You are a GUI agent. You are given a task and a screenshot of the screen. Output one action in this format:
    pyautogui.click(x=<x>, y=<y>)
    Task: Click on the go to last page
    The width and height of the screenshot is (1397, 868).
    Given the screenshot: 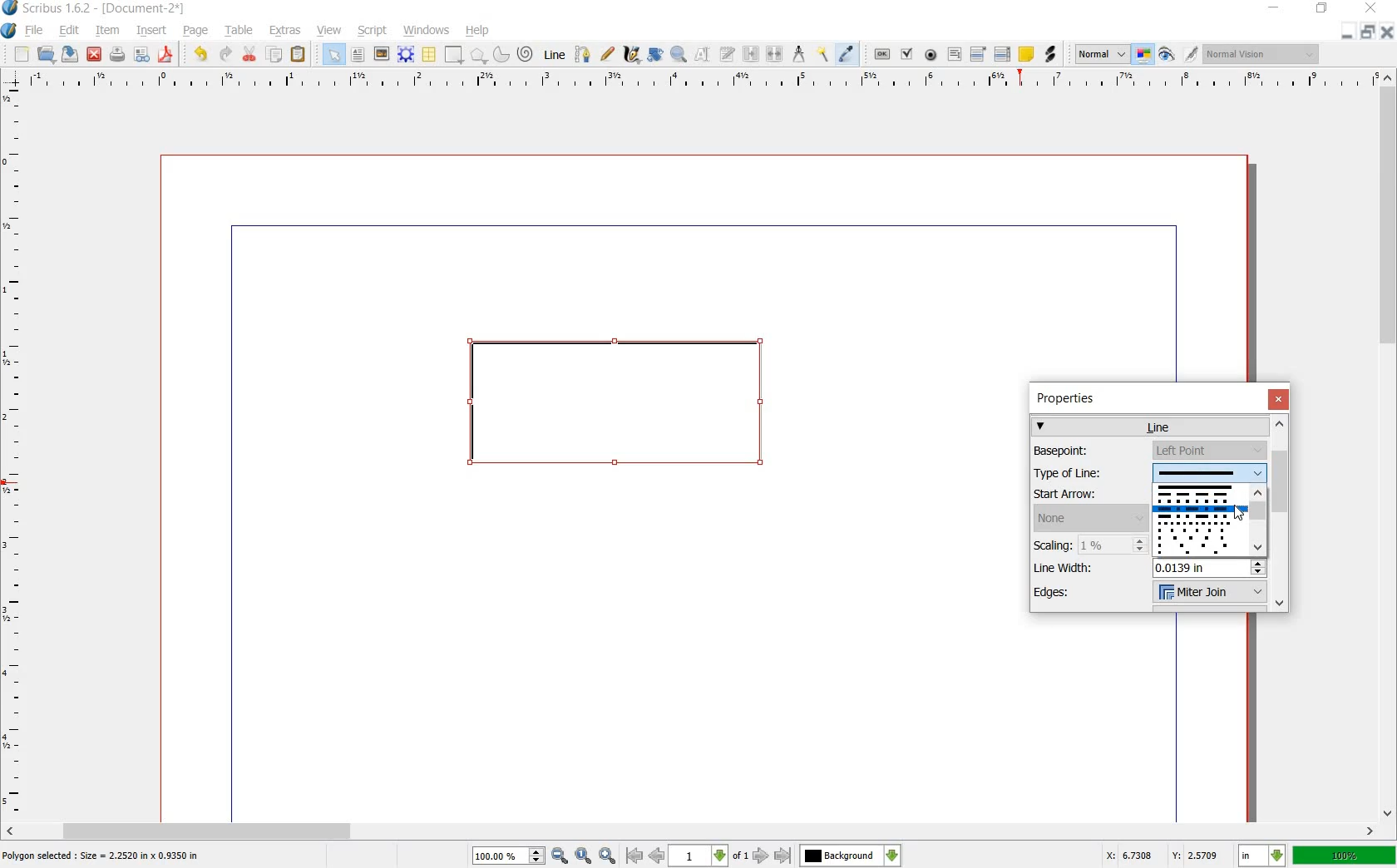 What is the action you would take?
    pyautogui.click(x=782, y=856)
    